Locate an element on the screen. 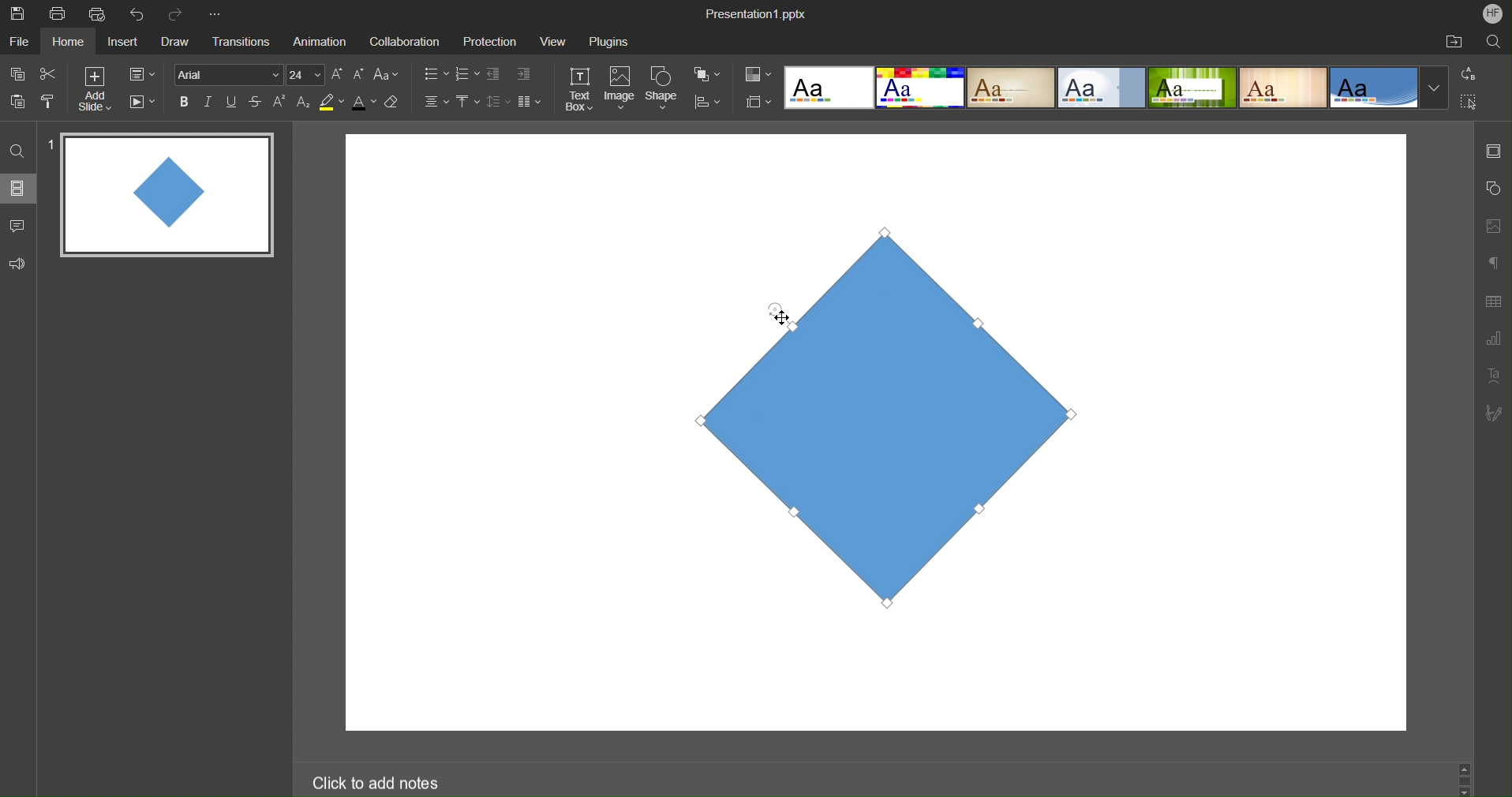  More is located at coordinates (215, 9).